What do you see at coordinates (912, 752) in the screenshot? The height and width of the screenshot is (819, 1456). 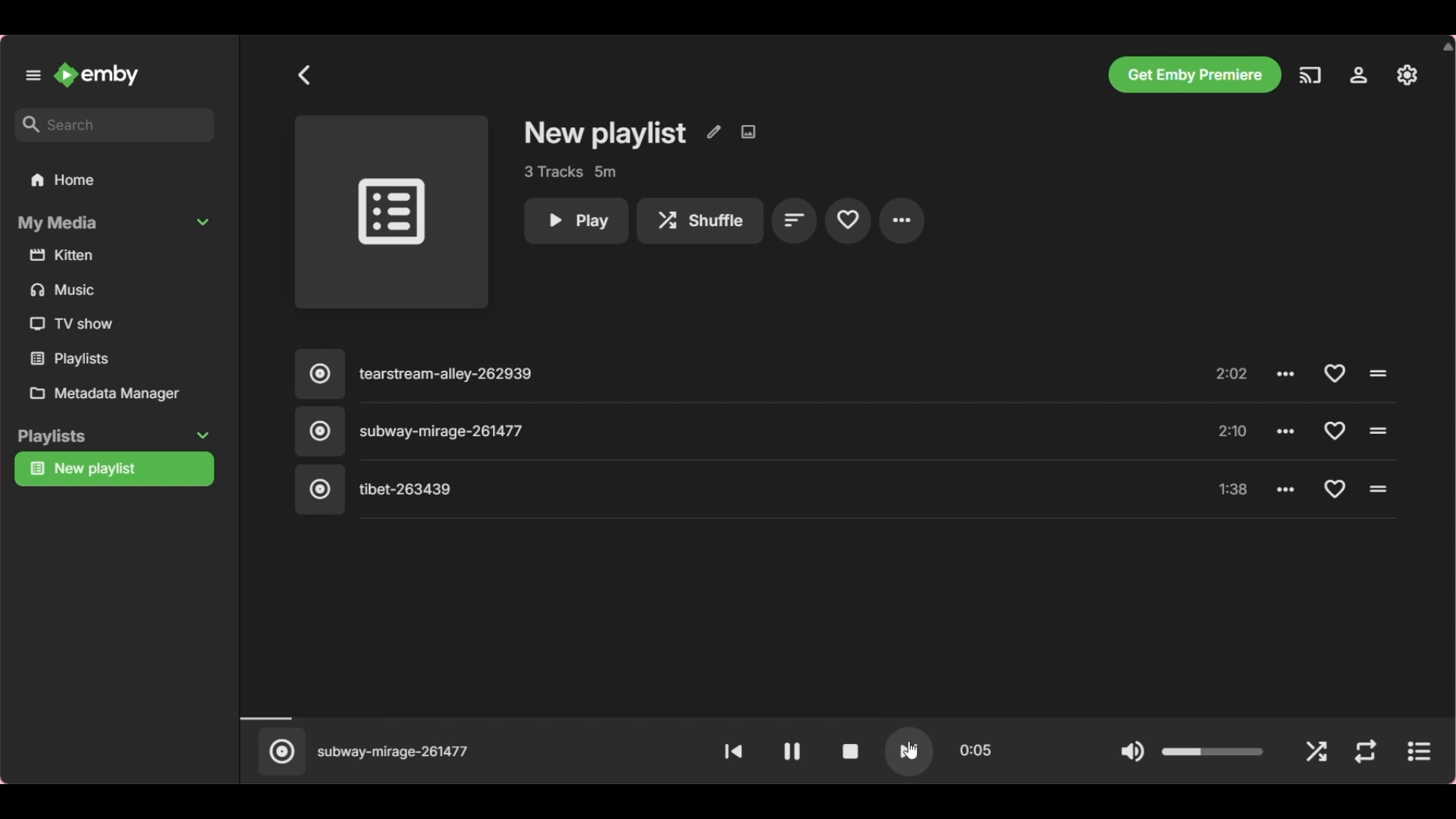 I see `cursor` at bounding box center [912, 752].